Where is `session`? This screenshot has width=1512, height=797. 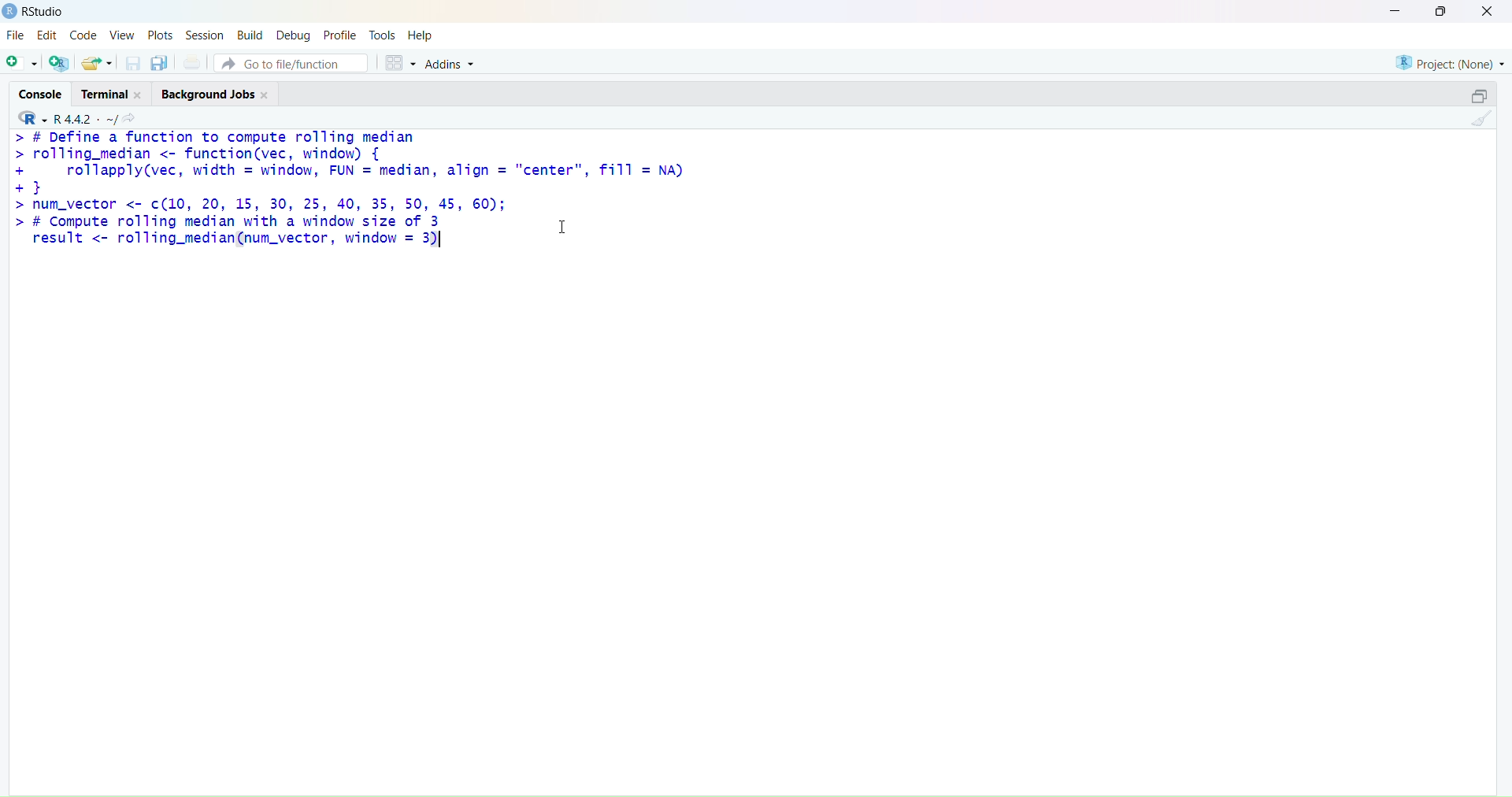 session is located at coordinates (206, 36).